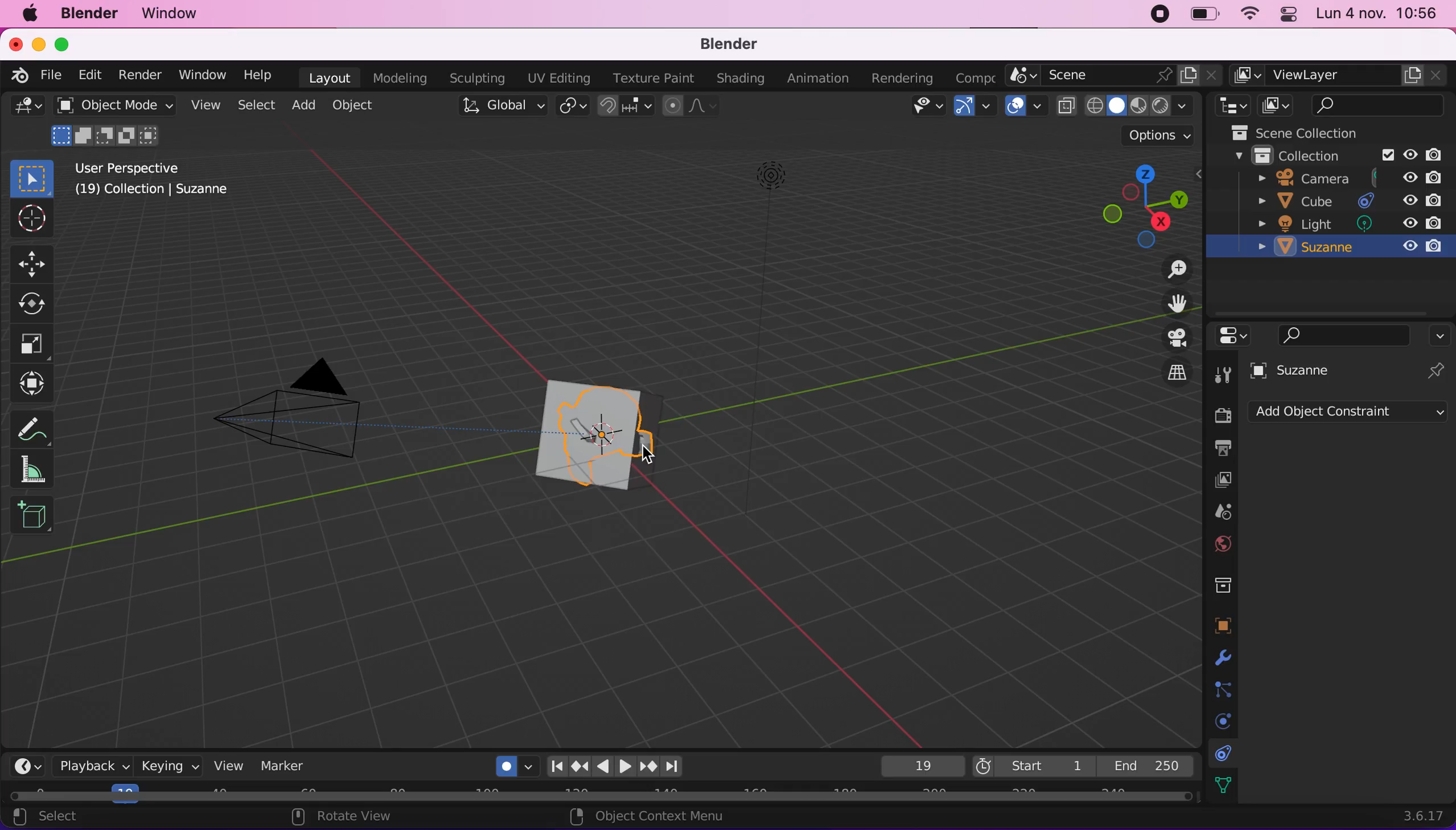 The image size is (1456, 830). I want to click on particles, so click(1221, 687).